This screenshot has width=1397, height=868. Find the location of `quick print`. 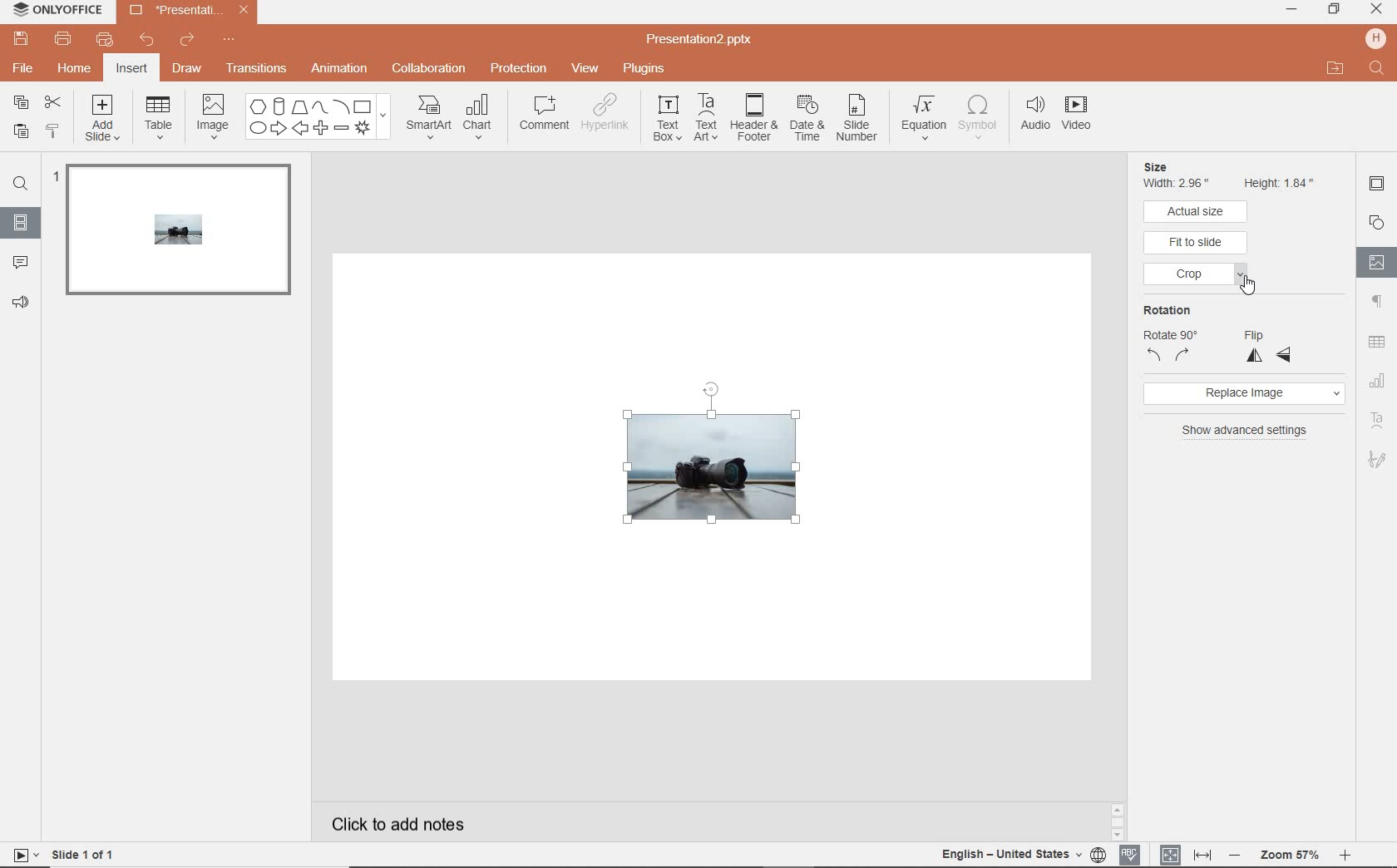

quick print is located at coordinates (106, 38).